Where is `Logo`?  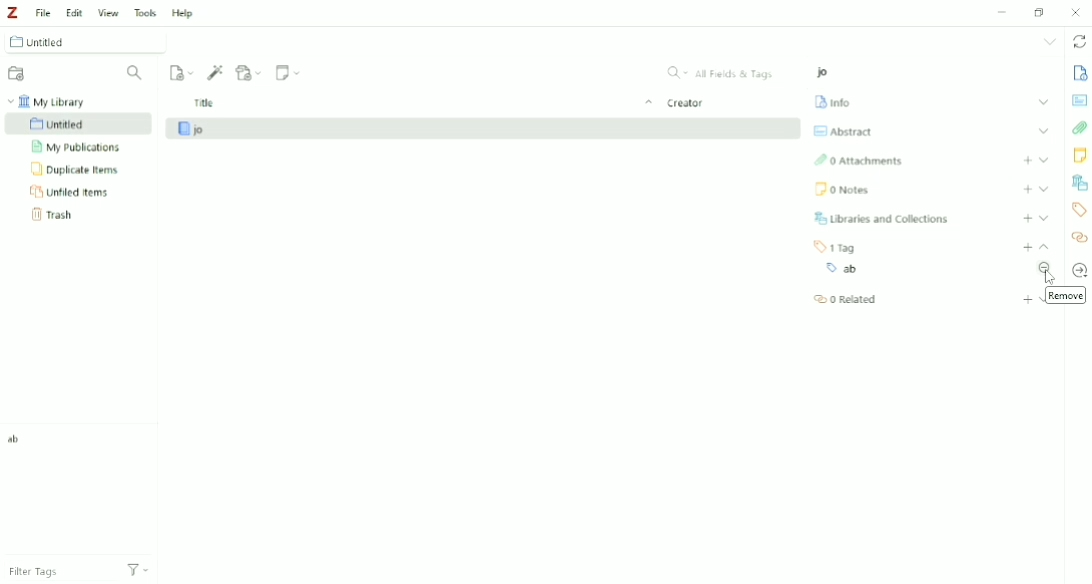
Logo is located at coordinates (12, 13).